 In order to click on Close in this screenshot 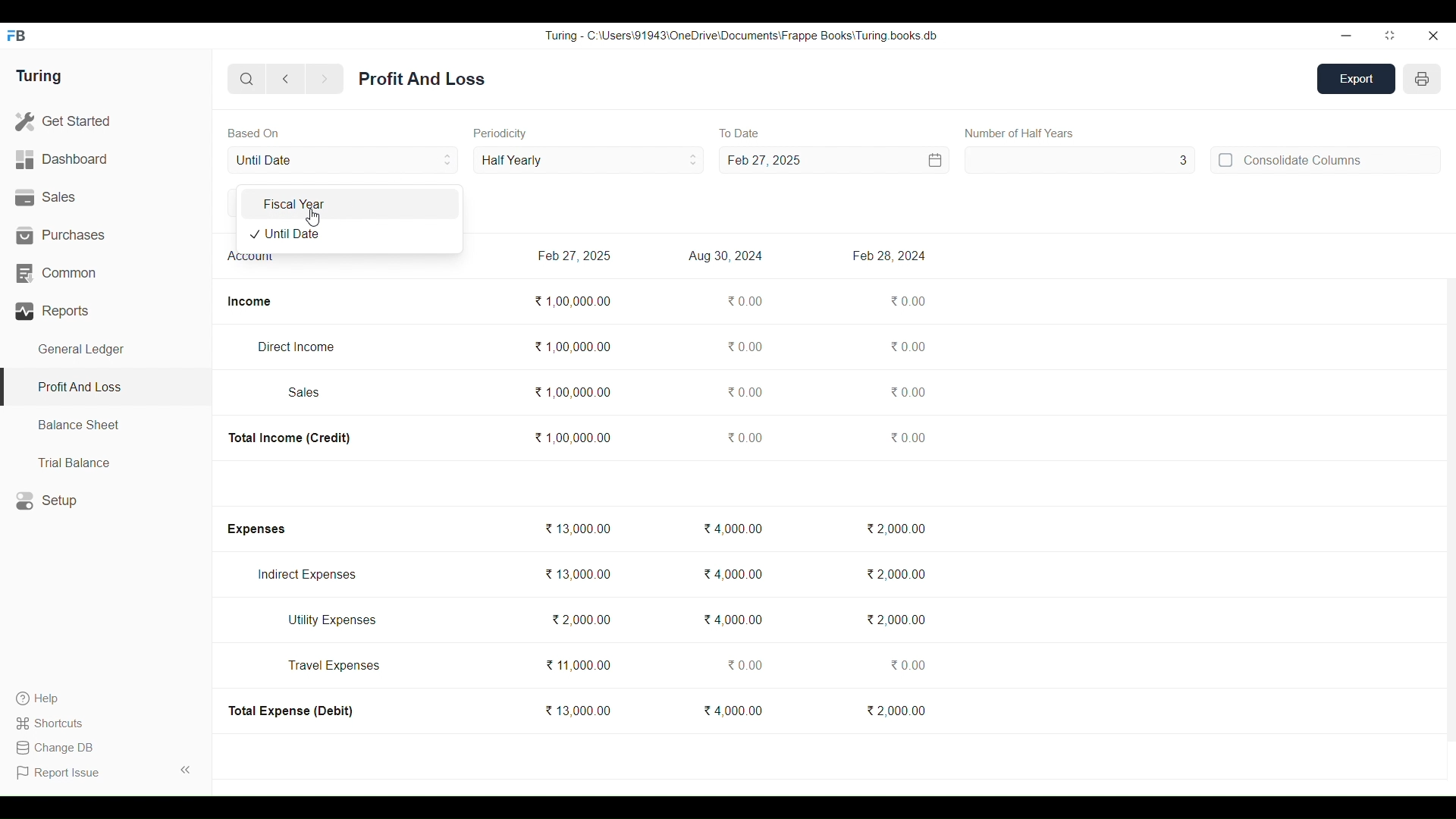, I will do `click(1432, 36)`.